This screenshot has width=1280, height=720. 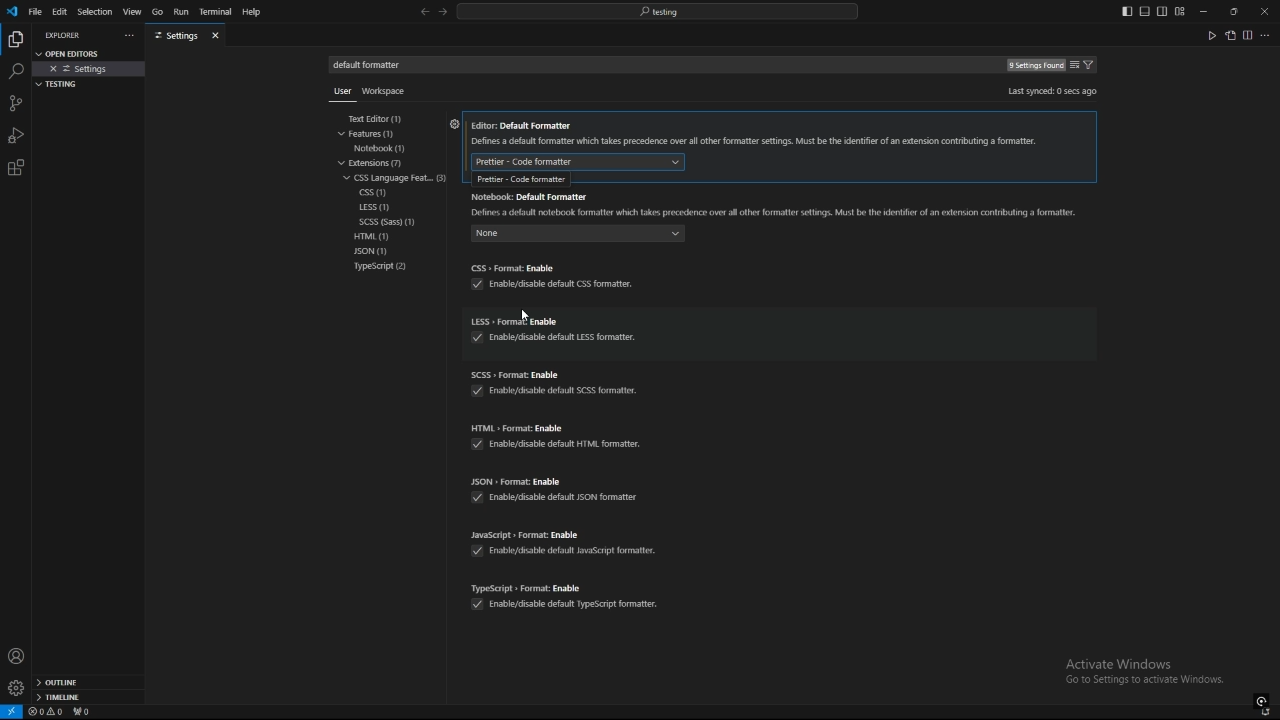 What do you see at coordinates (11, 12) in the screenshot?
I see `vscode` at bounding box center [11, 12].